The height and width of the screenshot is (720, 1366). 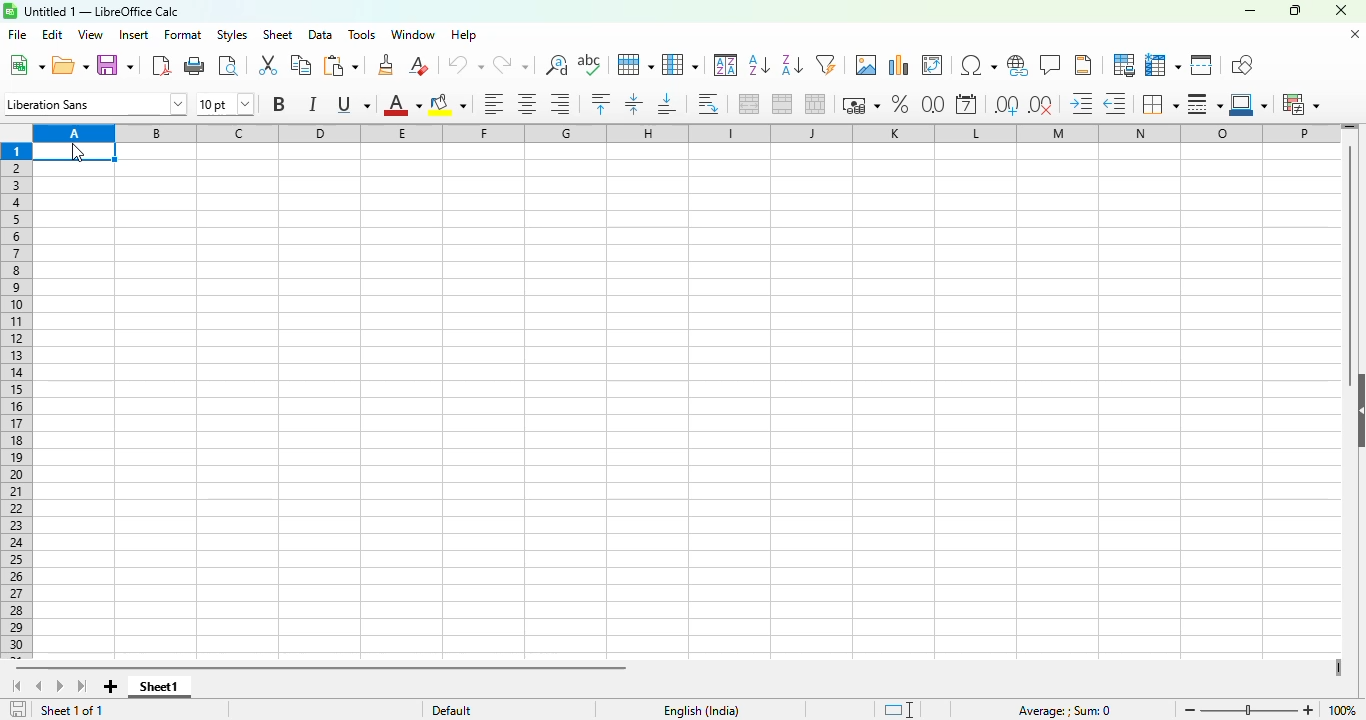 What do you see at coordinates (1249, 10) in the screenshot?
I see `minimize` at bounding box center [1249, 10].